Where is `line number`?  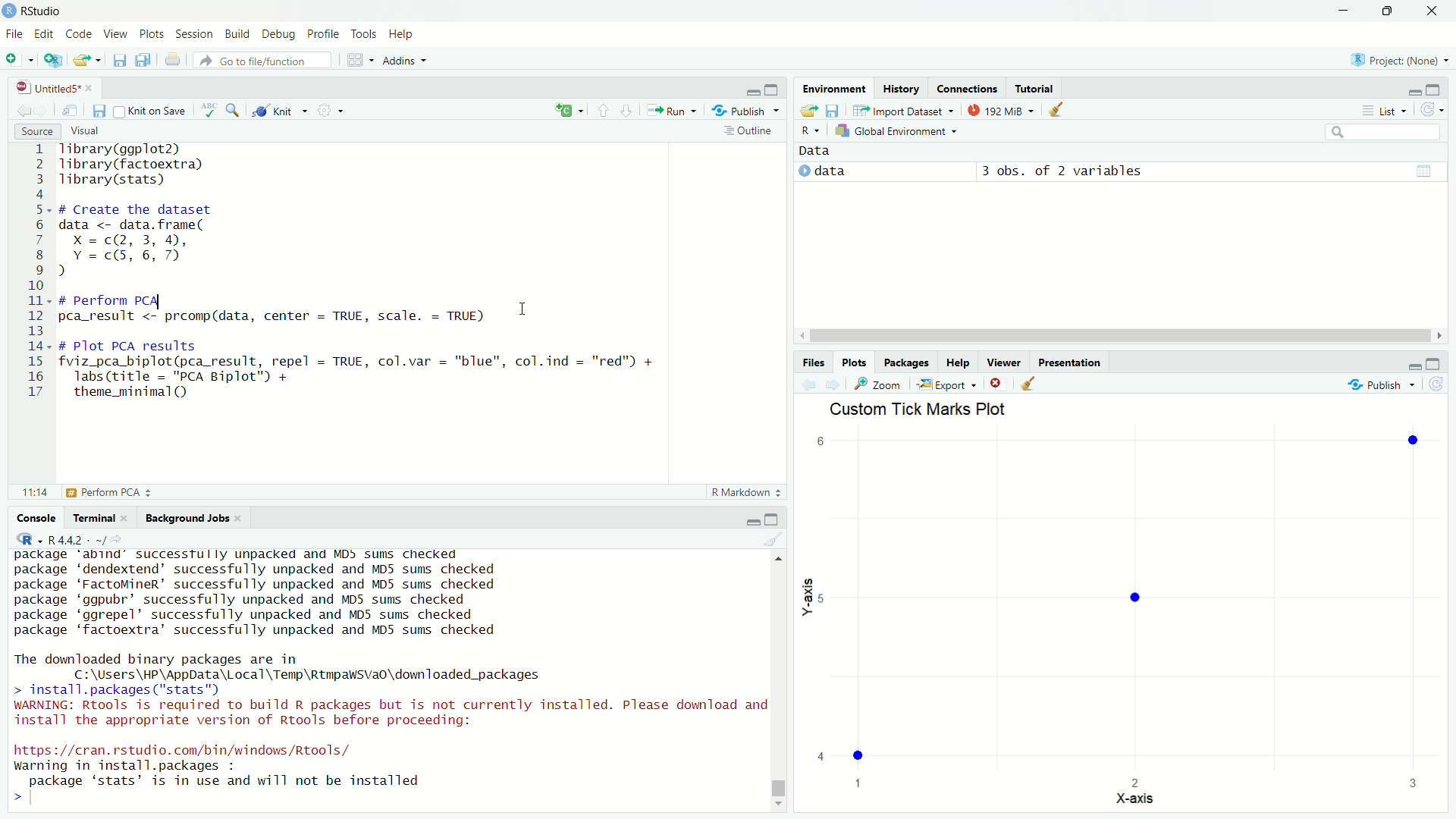 line number is located at coordinates (37, 271).